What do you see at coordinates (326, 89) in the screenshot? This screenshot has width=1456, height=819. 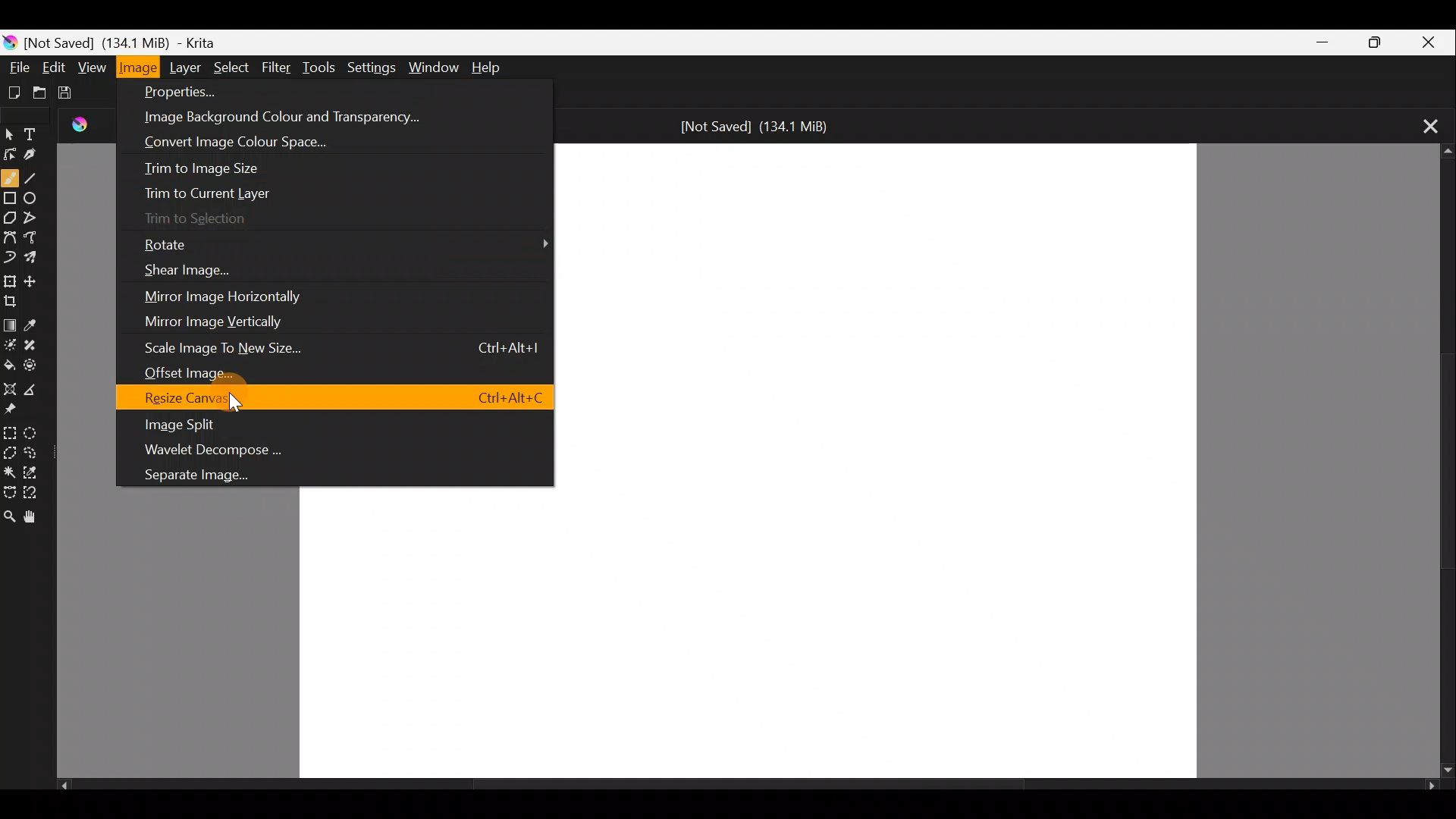 I see `Properties` at bounding box center [326, 89].